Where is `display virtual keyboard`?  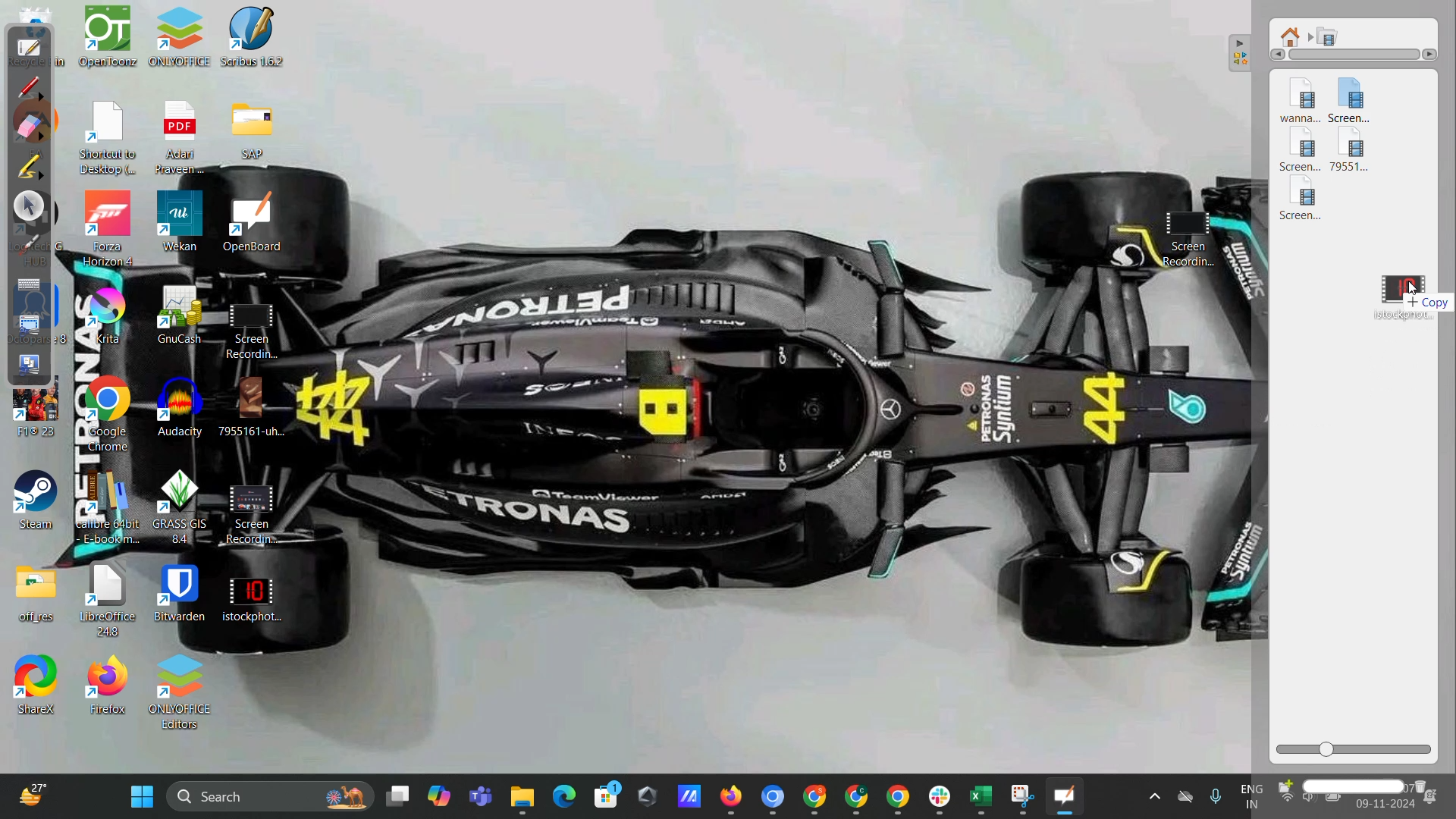 display virtual keyboard is located at coordinates (30, 287).